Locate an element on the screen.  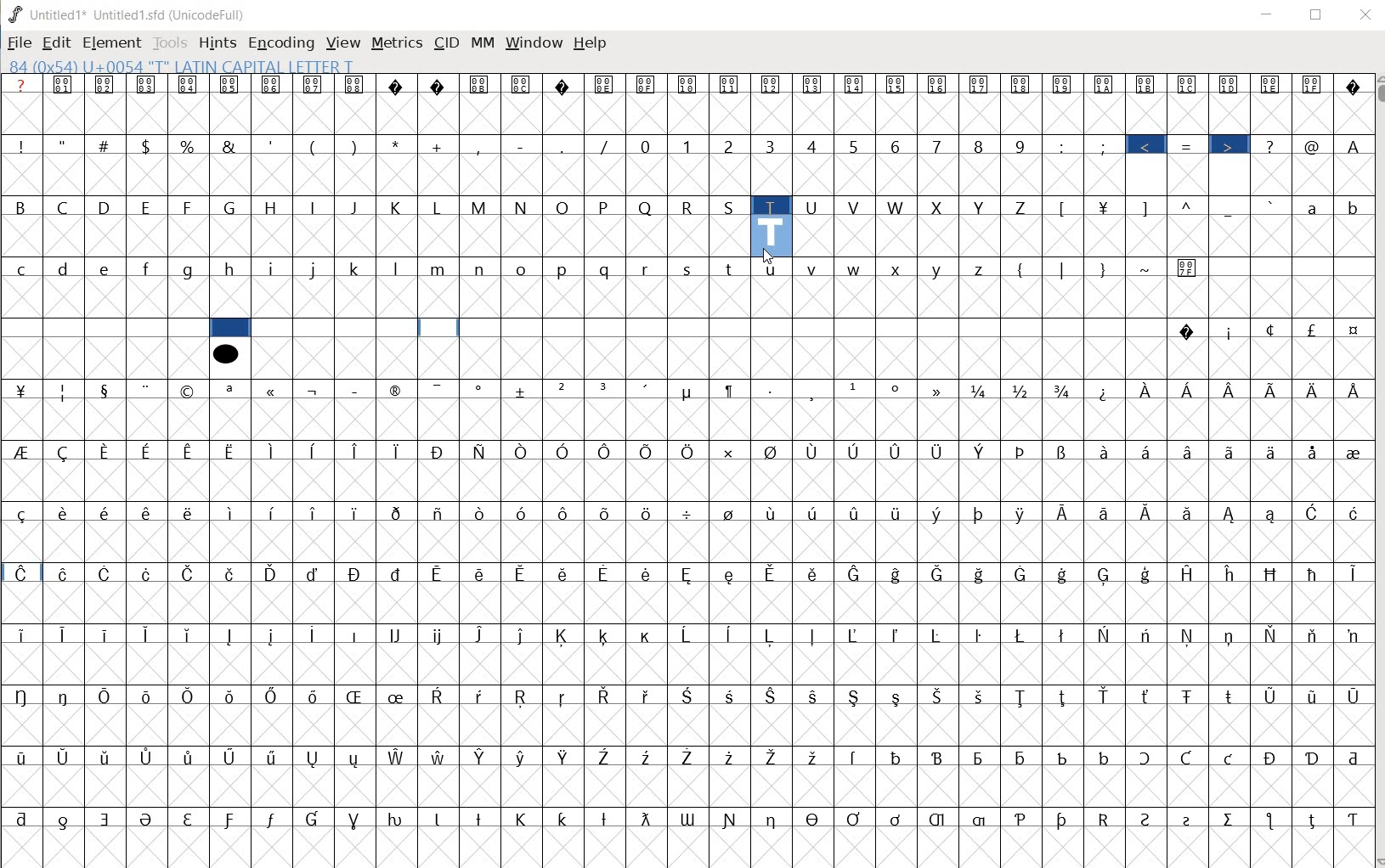
= is located at coordinates (1190, 146).